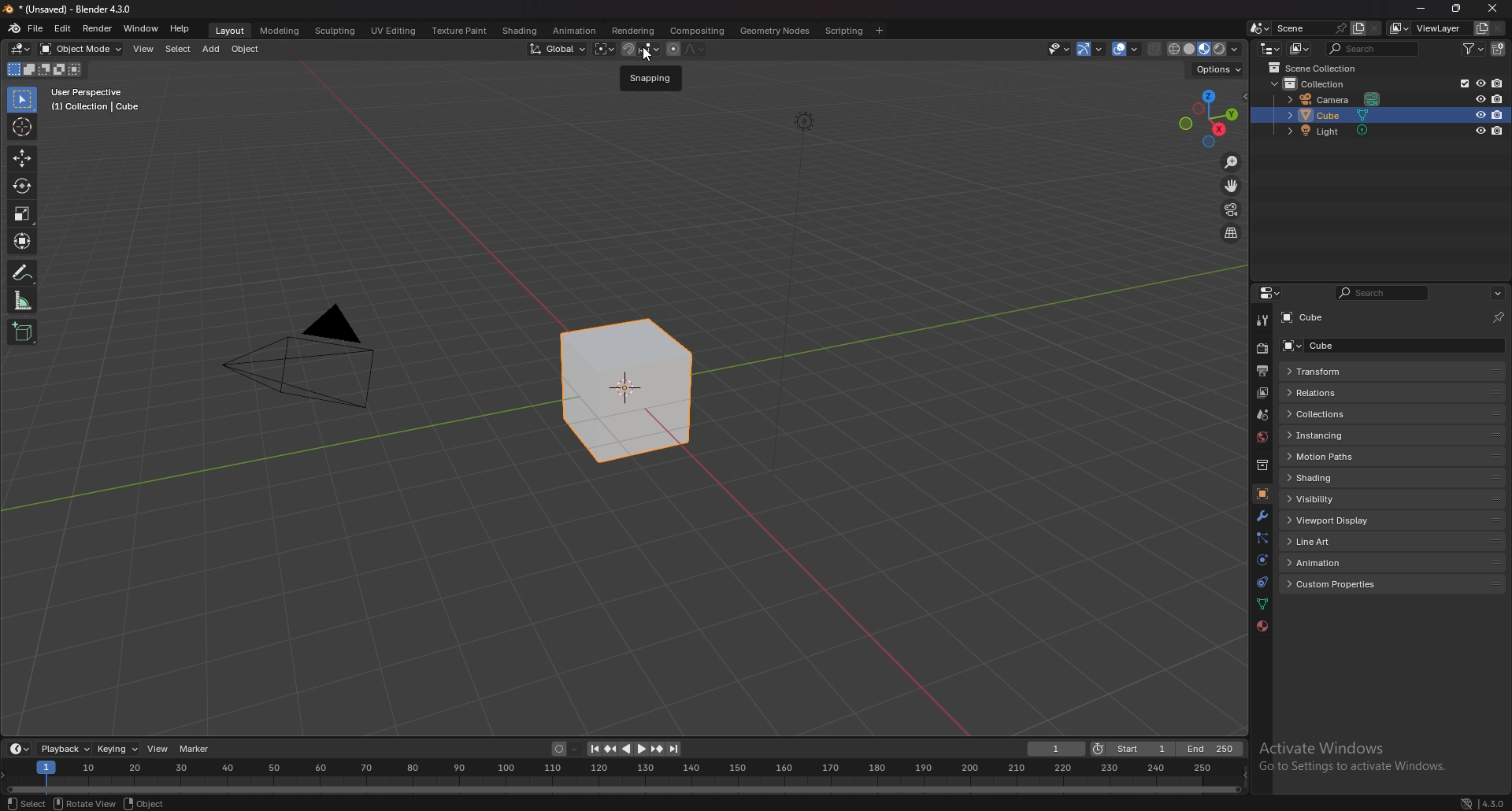 Image resolution: width=1512 pixels, height=811 pixels. Describe the element at coordinates (1498, 131) in the screenshot. I see `disable in renders` at that location.